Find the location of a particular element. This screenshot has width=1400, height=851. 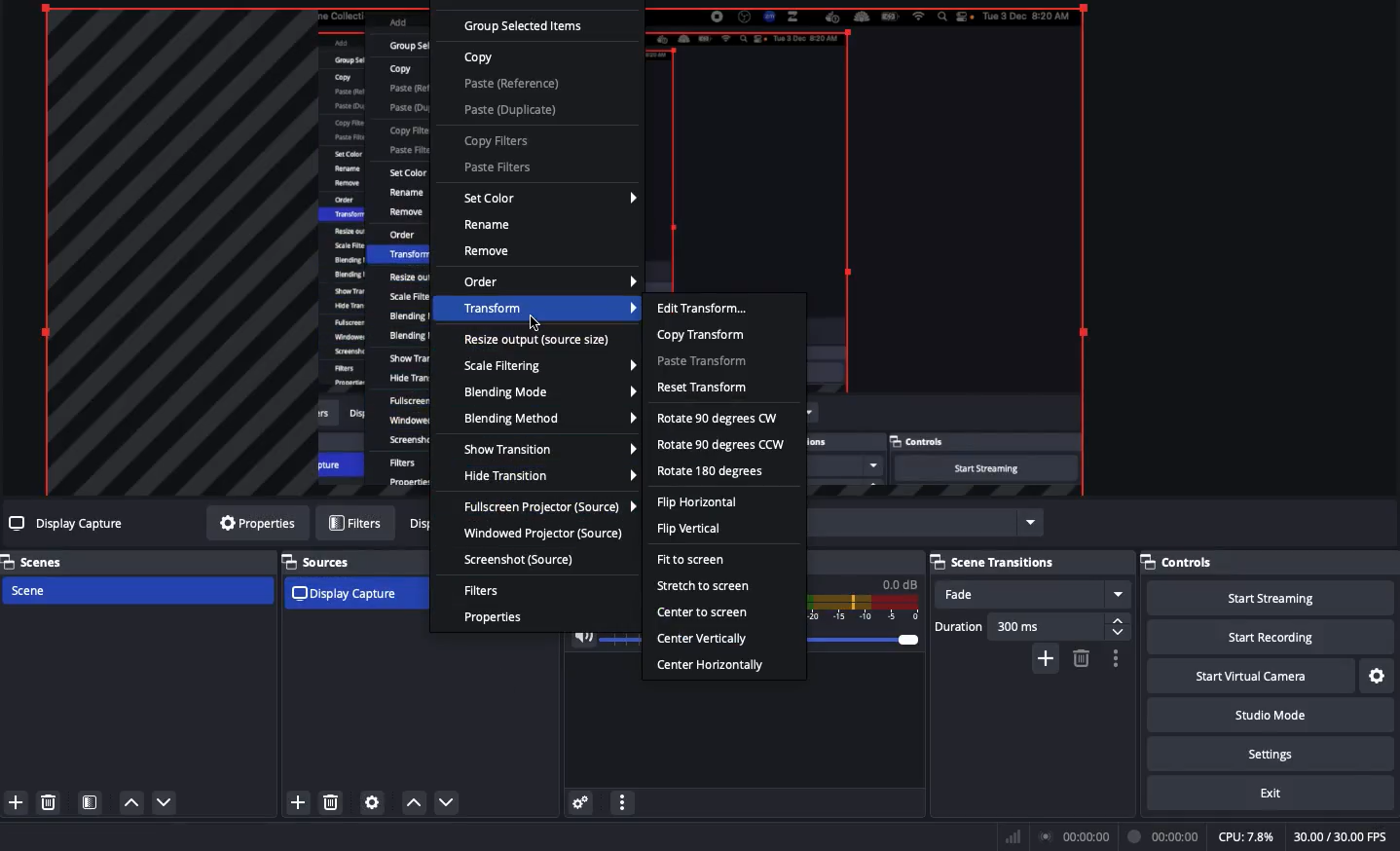

Blending method is located at coordinates (548, 417).